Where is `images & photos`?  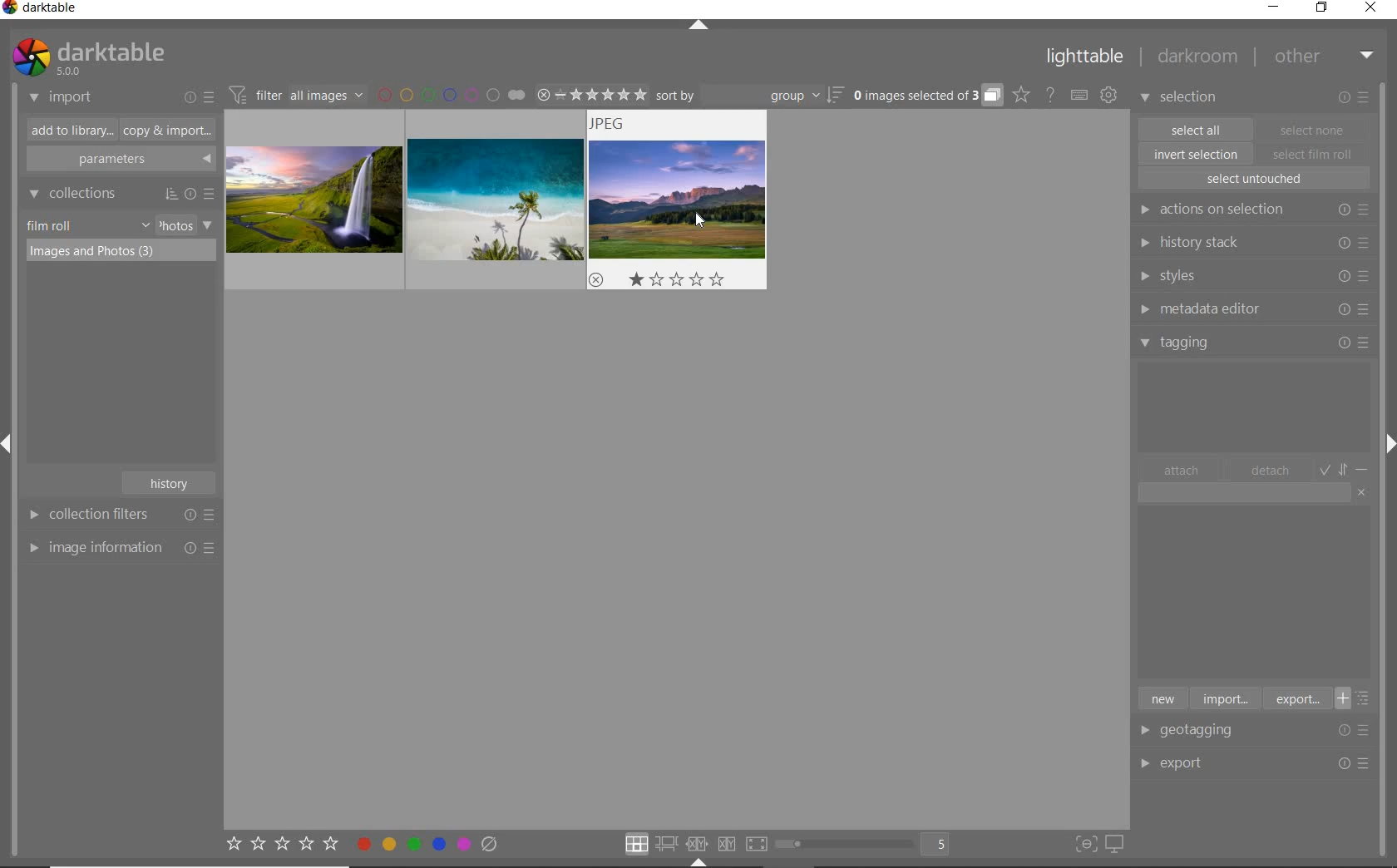
images & photos is located at coordinates (121, 254).